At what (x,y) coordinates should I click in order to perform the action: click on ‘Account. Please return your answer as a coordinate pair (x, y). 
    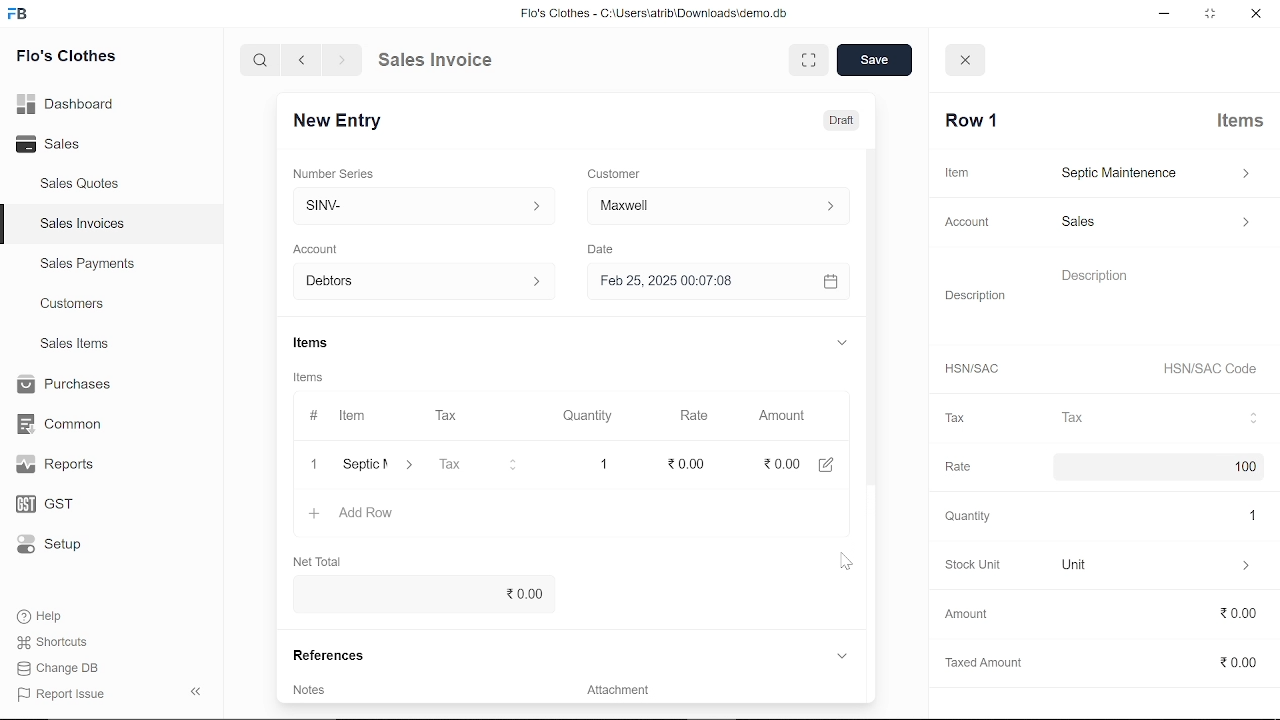
    Looking at the image, I should click on (326, 247).